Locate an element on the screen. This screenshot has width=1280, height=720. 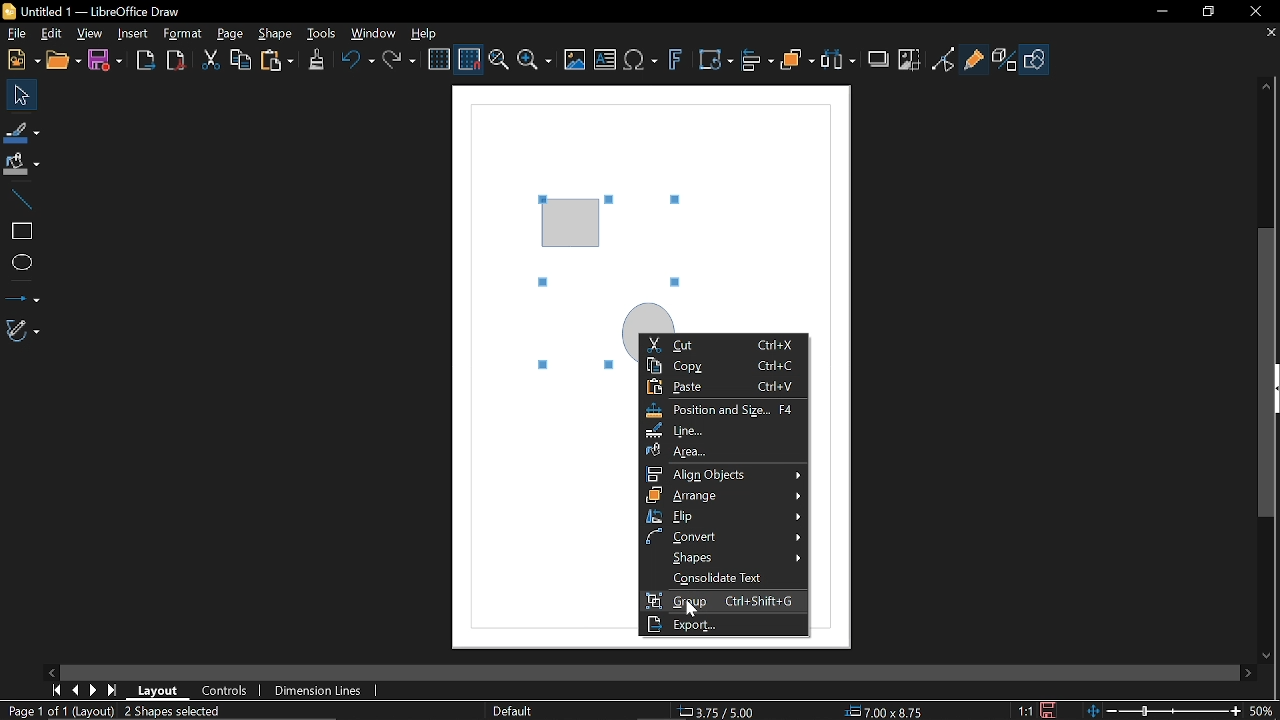
Toggle extrusion is located at coordinates (1003, 59).